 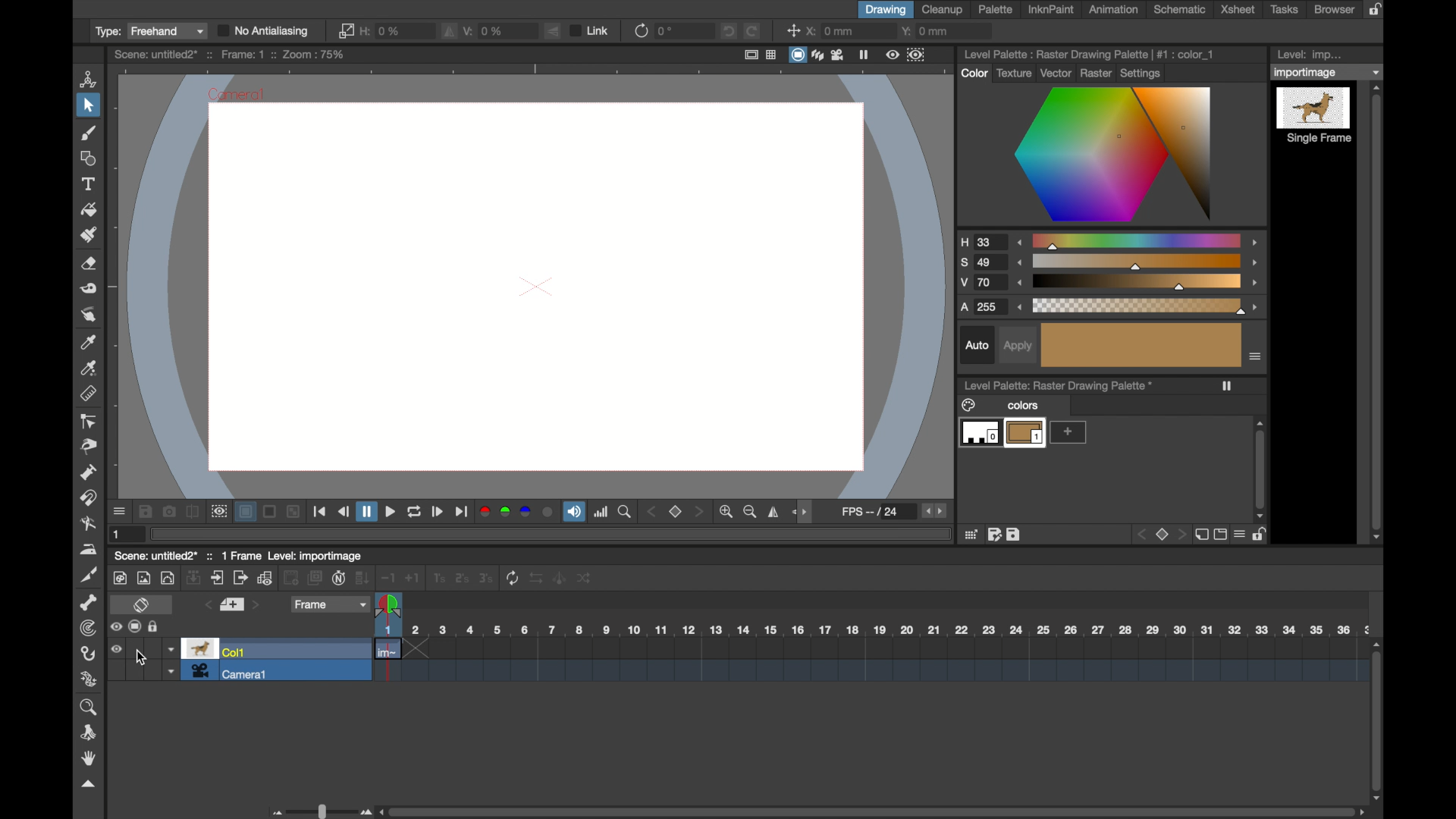 I want to click on snapshot, so click(x=169, y=512).